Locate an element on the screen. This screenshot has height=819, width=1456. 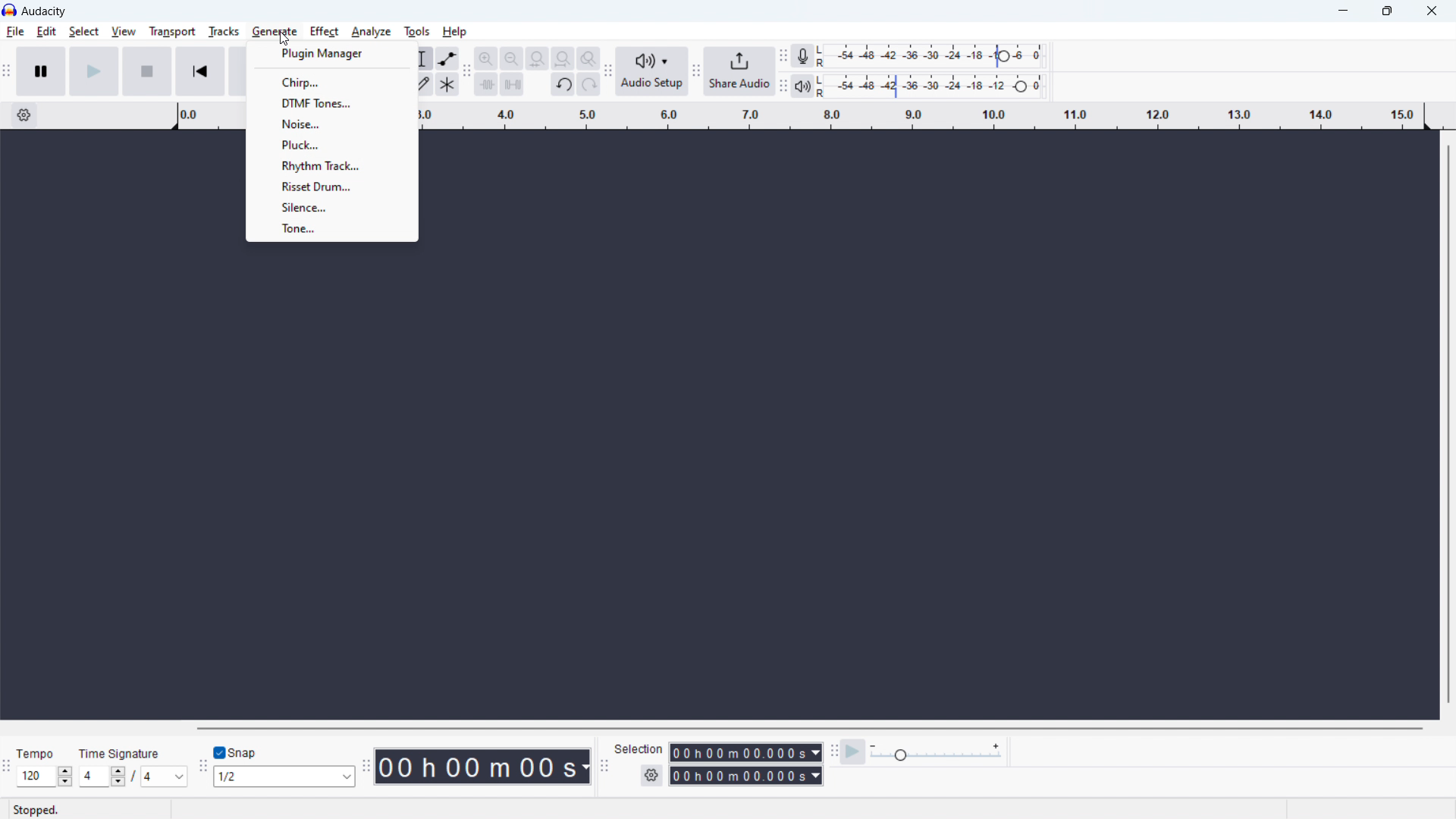
audio setup  is located at coordinates (652, 72).